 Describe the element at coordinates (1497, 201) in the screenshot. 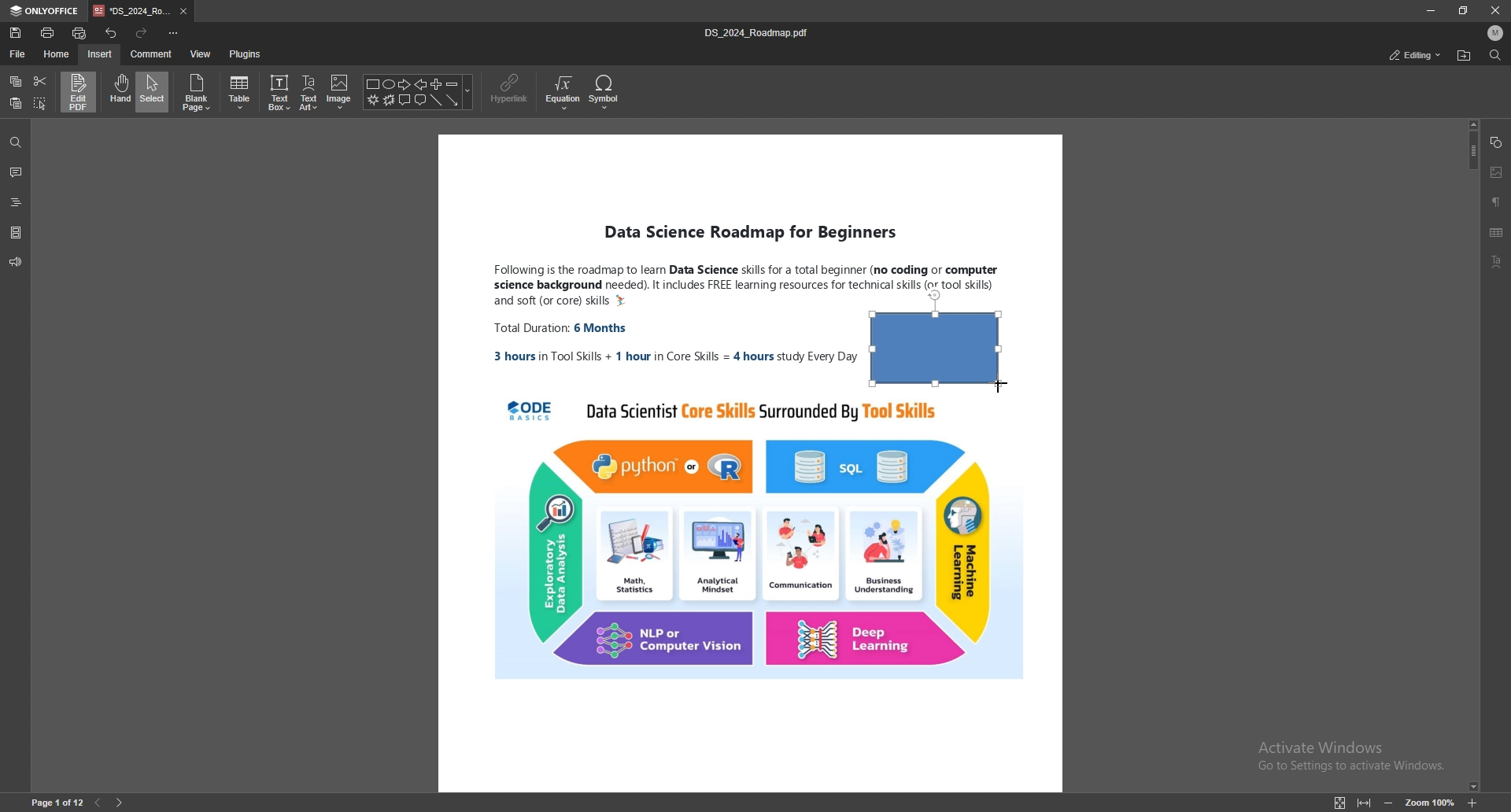

I see `paragraph` at that location.